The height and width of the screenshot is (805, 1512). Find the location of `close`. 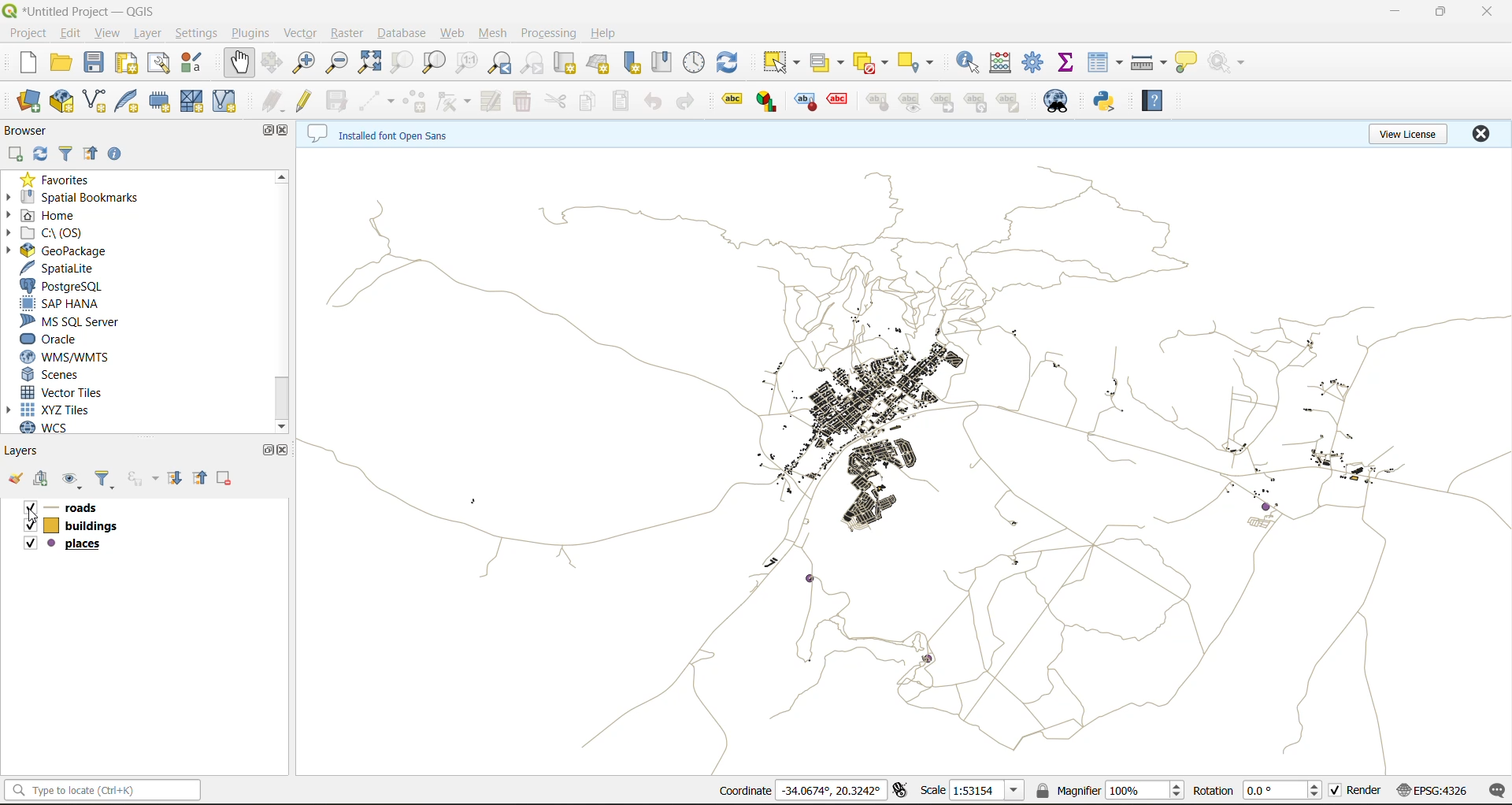

close is located at coordinates (282, 132).